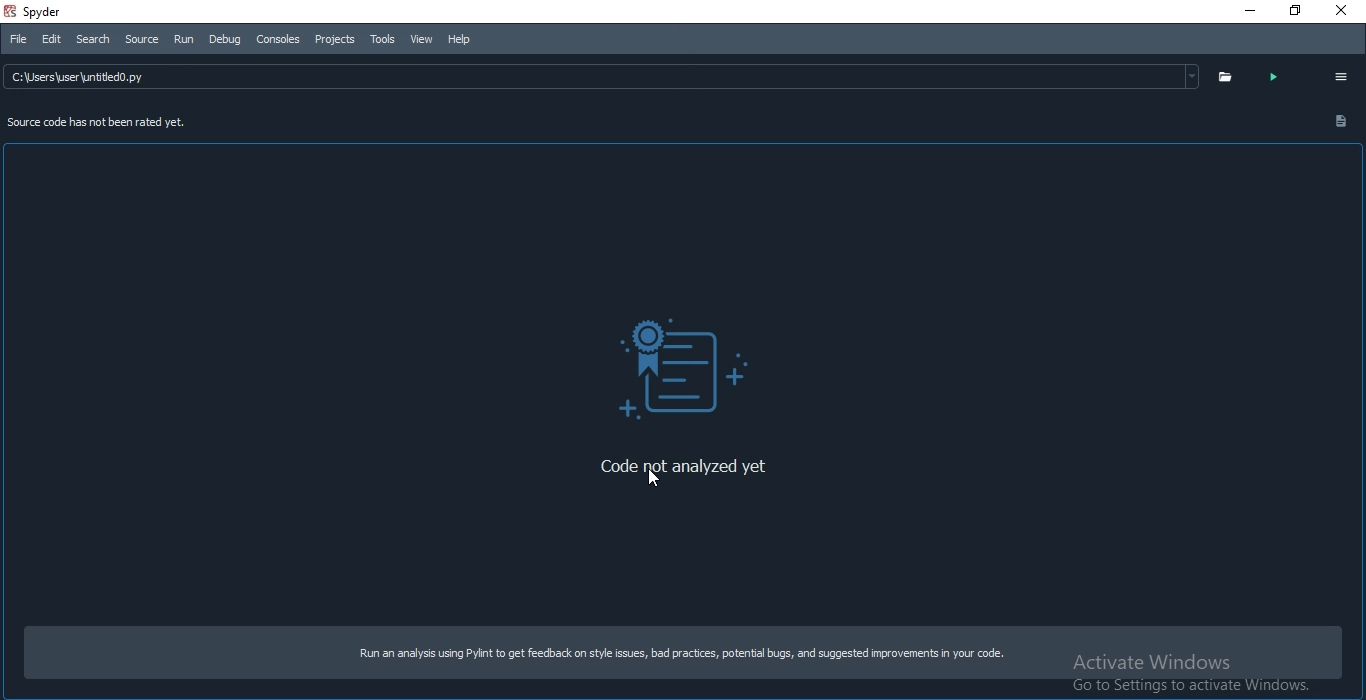 This screenshot has width=1366, height=700. What do you see at coordinates (1247, 11) in the screenshot?
I see `Minimise` at bounding box center [1247, 11].